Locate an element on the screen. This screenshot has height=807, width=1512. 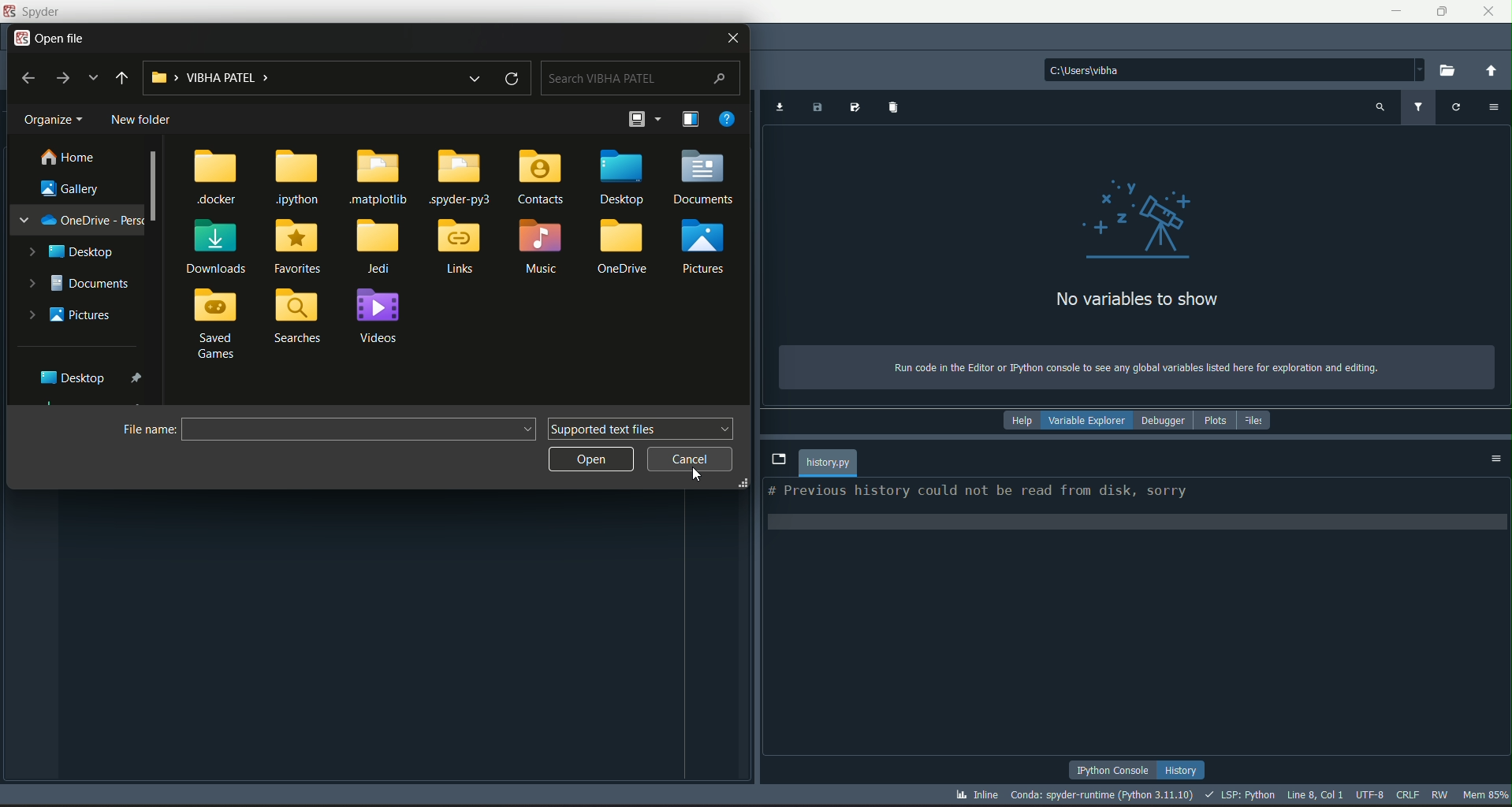
downloads is located at coordinates (216, 247).